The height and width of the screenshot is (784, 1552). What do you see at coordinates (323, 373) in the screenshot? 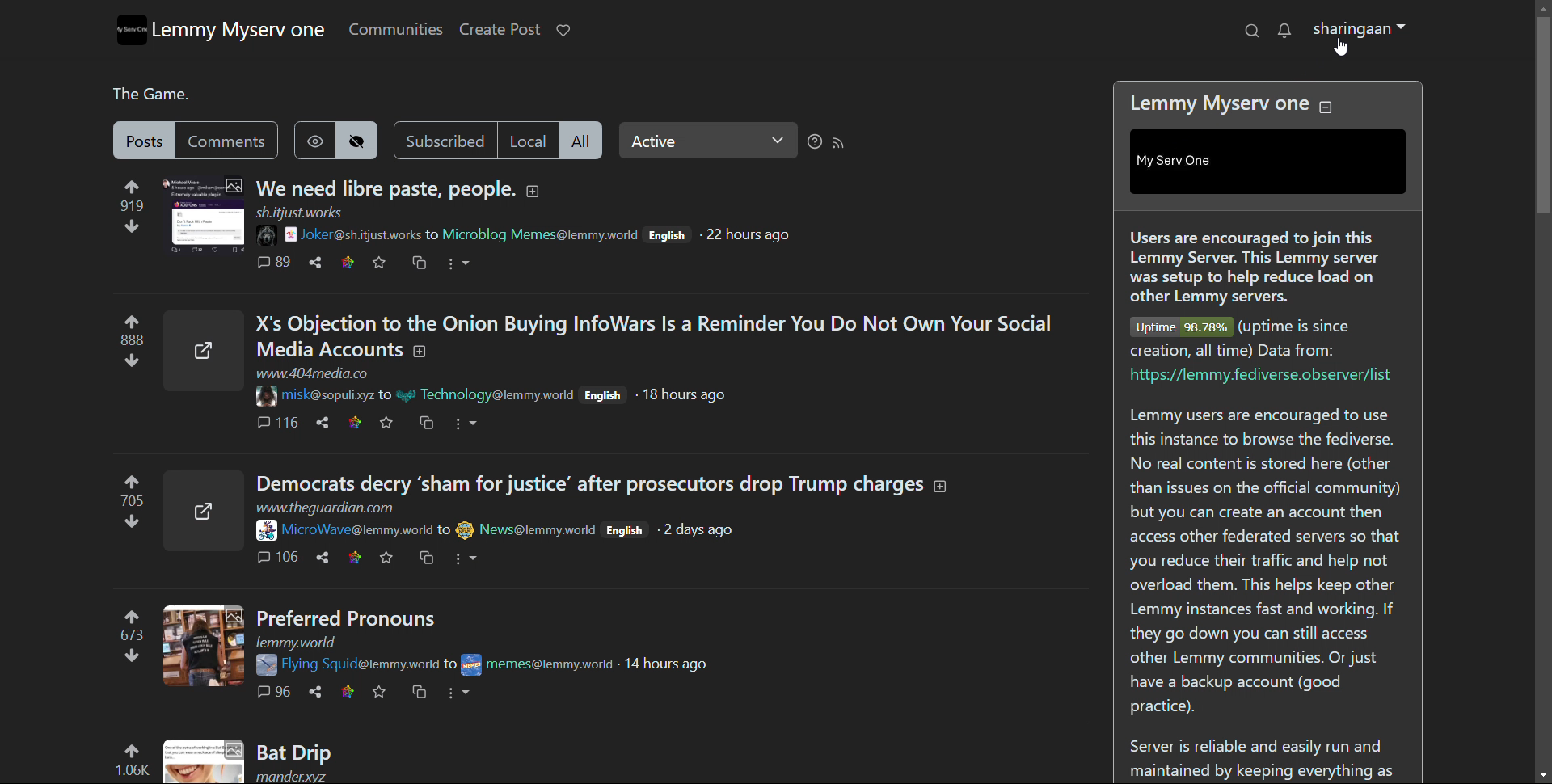
I see `URL` at bounding box center [323, 373].